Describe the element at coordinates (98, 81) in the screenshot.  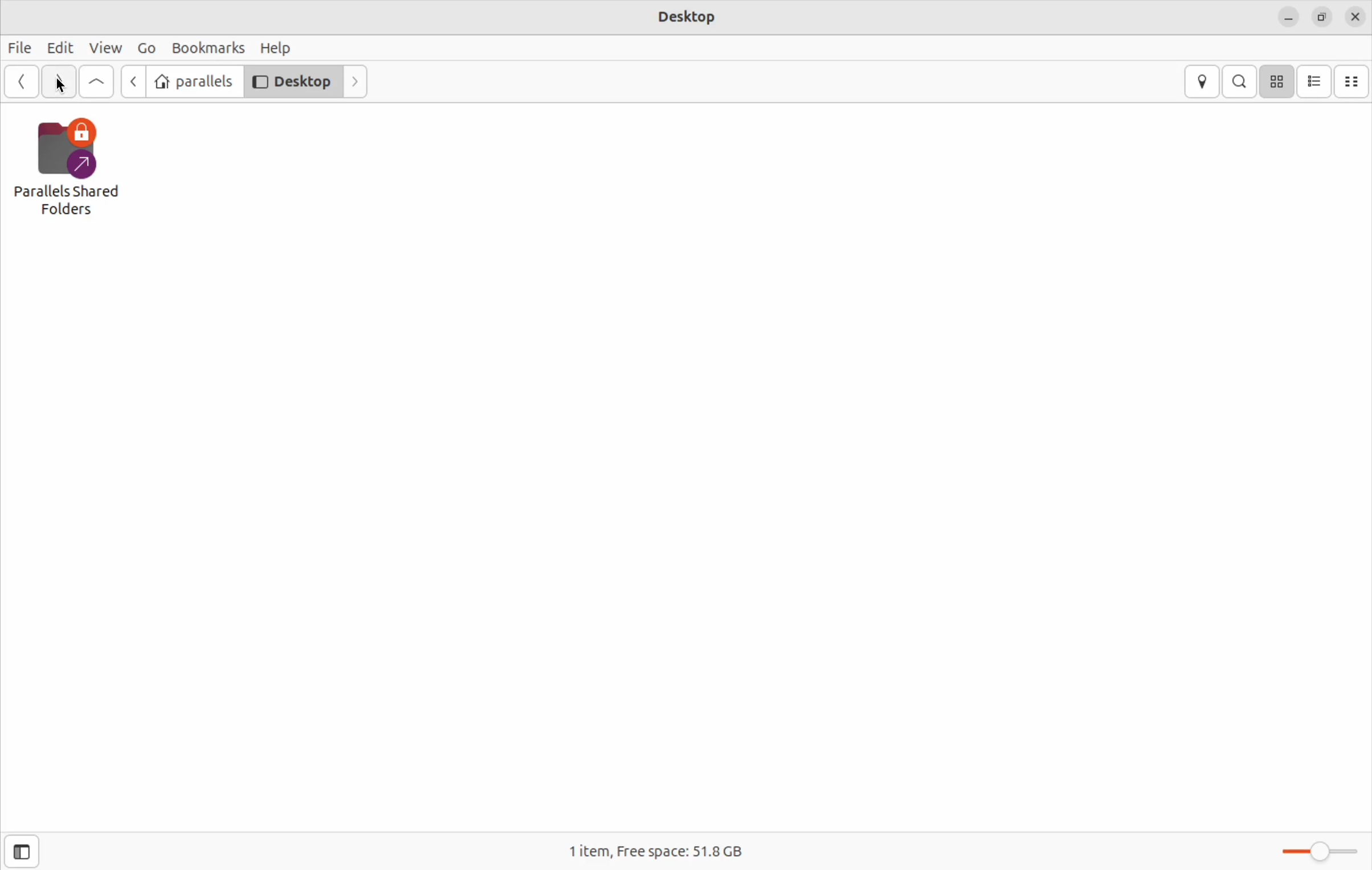
I see `Go to firstfile` at that location.